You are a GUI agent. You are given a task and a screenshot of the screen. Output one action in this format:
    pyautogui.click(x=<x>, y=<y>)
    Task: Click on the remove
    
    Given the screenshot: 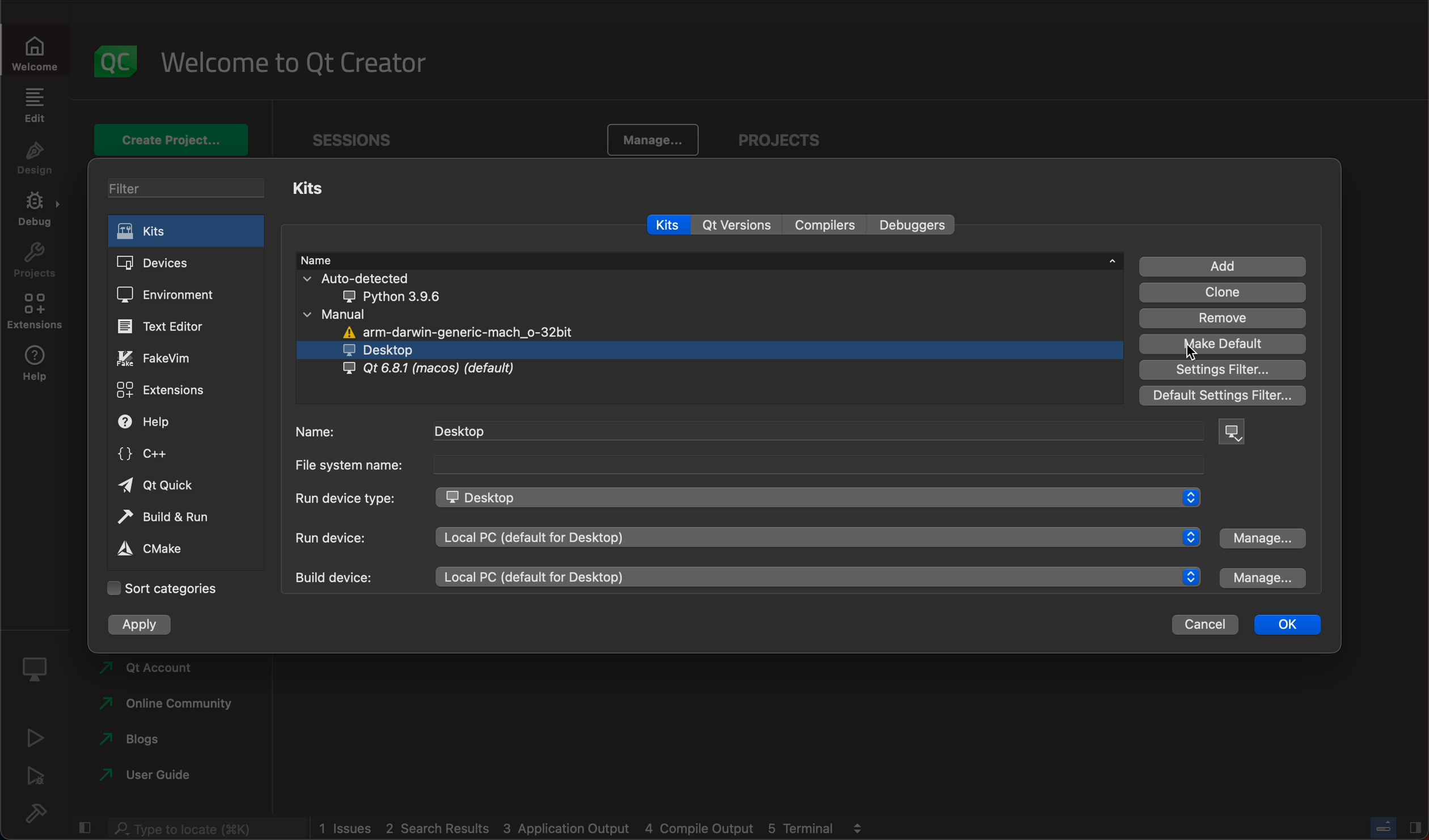 What is the action you would take?
    pyautogui.click(x=1222, y=319)
    